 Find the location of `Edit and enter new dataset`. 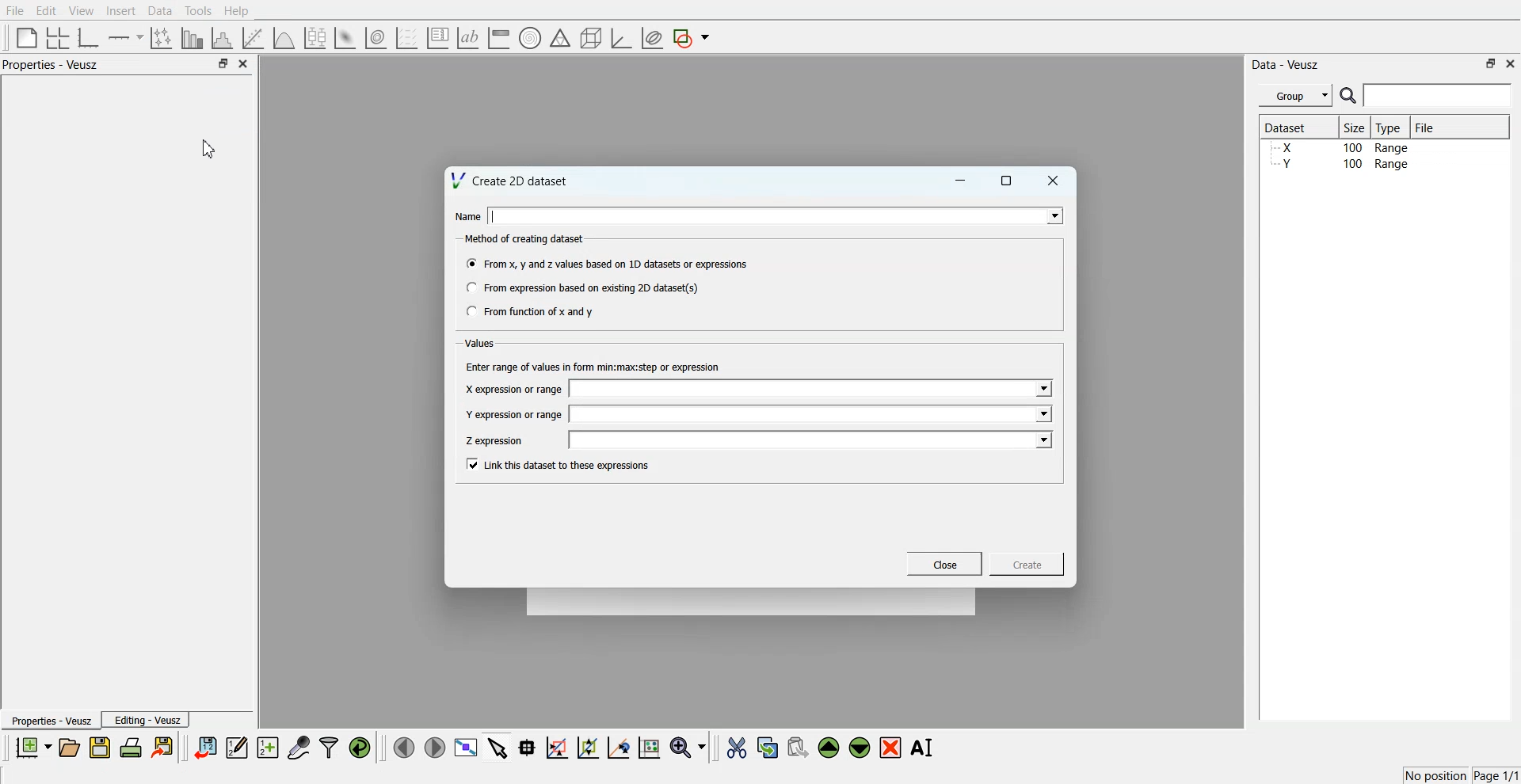

Edit and enter new dataset is located at coordinates (236, 747).